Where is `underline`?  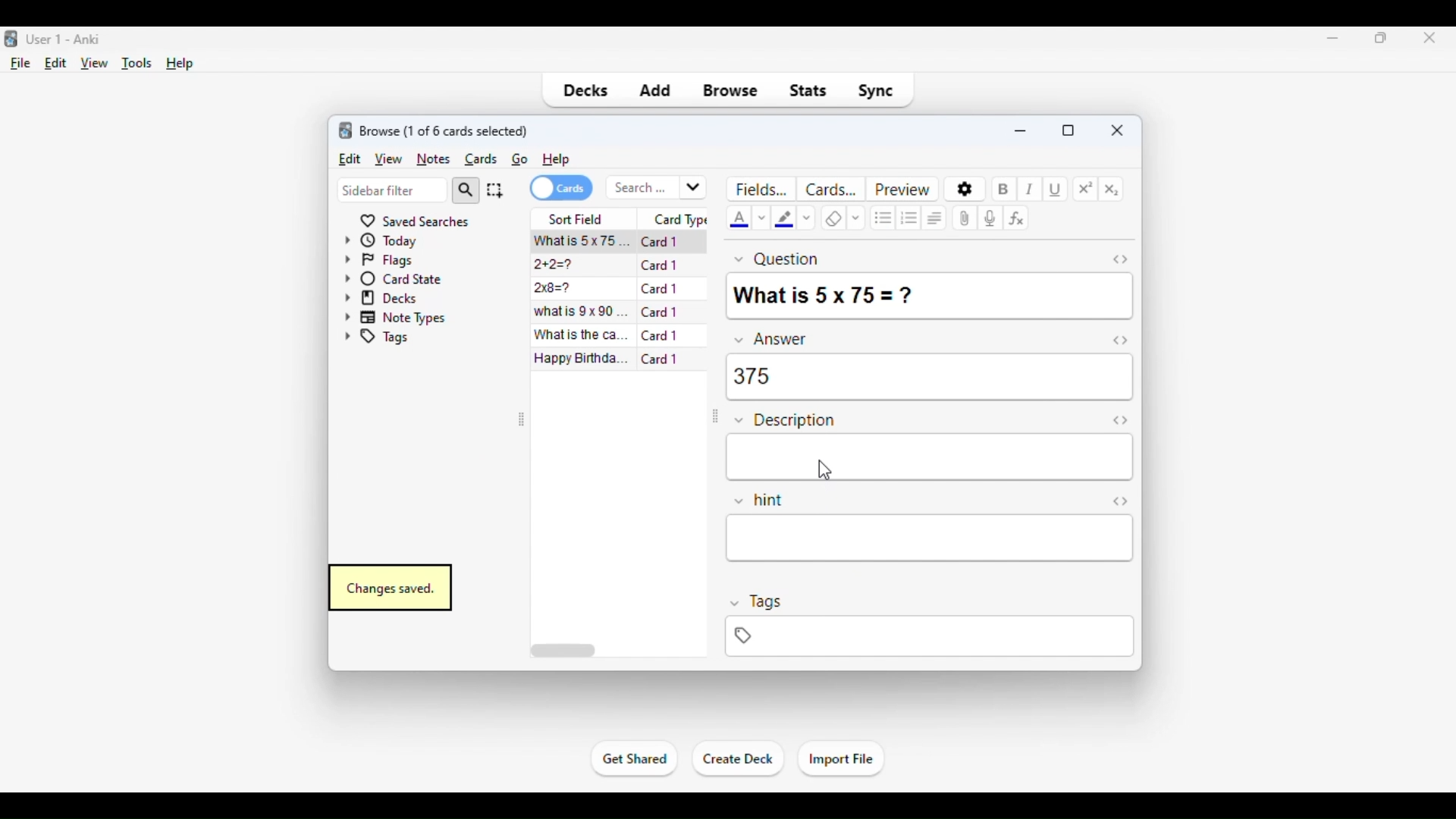
underline is located at coordinates (1056, 190).